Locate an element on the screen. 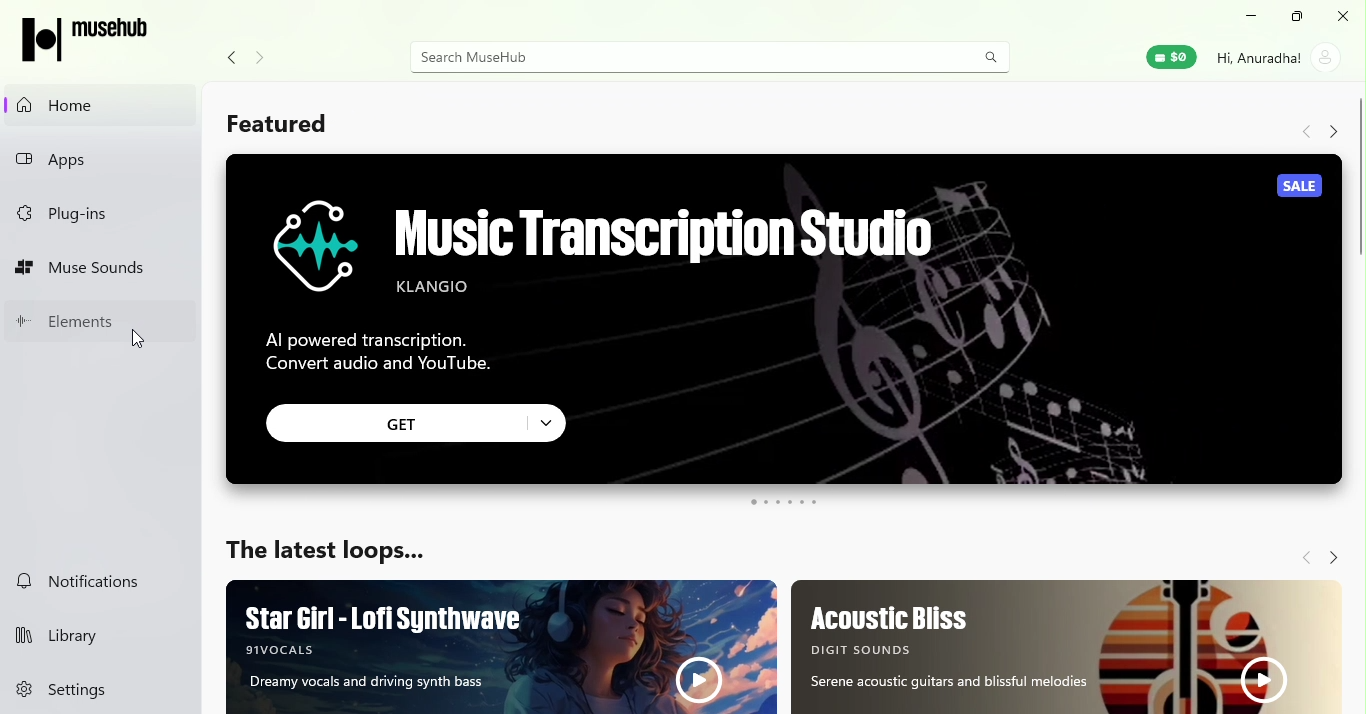 This screenshot has height=714, width=1366. Elements is located at coordinates (102, 320).